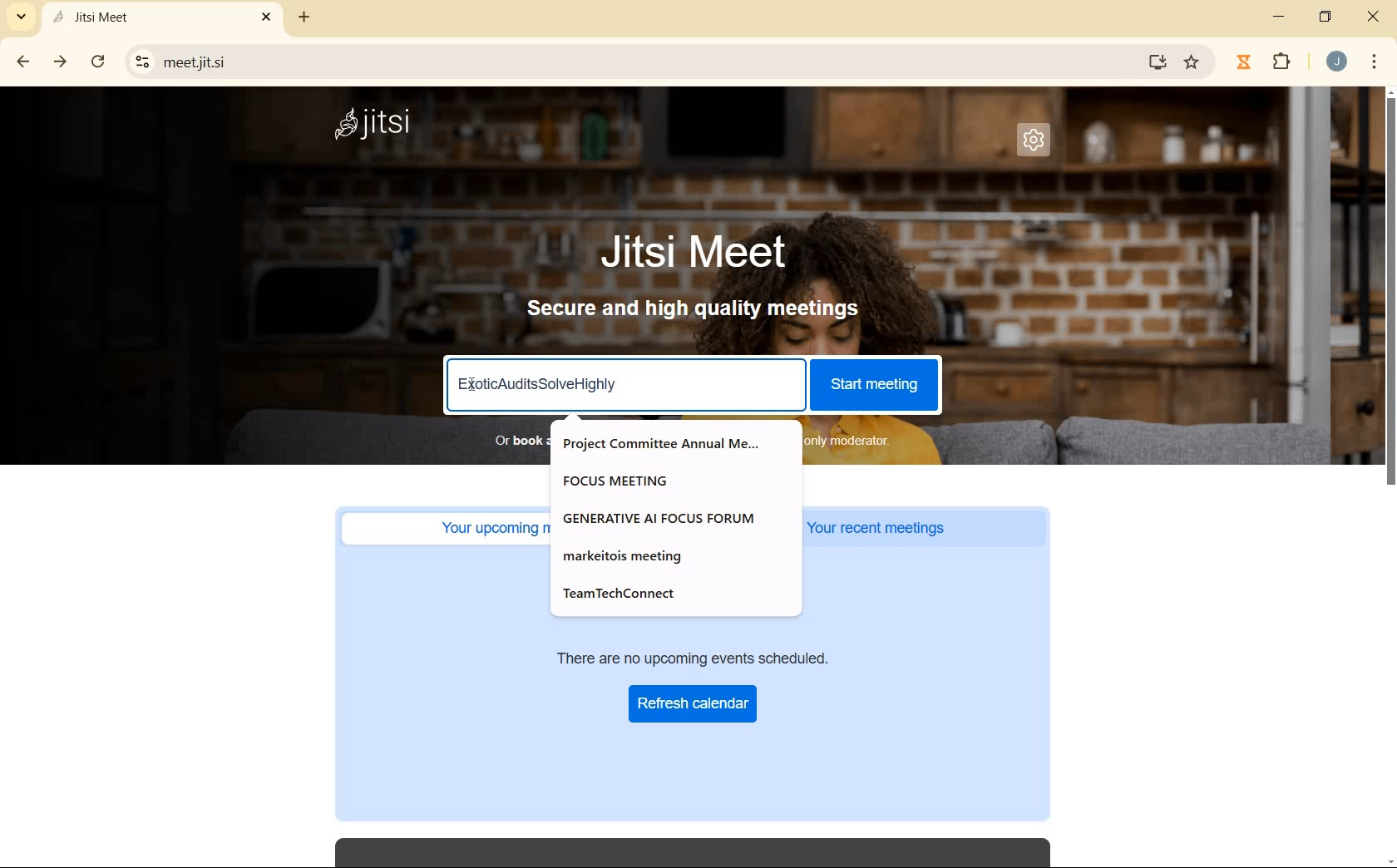 The image size is (1397, 868). What do you see at coordinates (1281, 17) in the screenshot?
I see `minimize` at bounding box center [1281, 17].